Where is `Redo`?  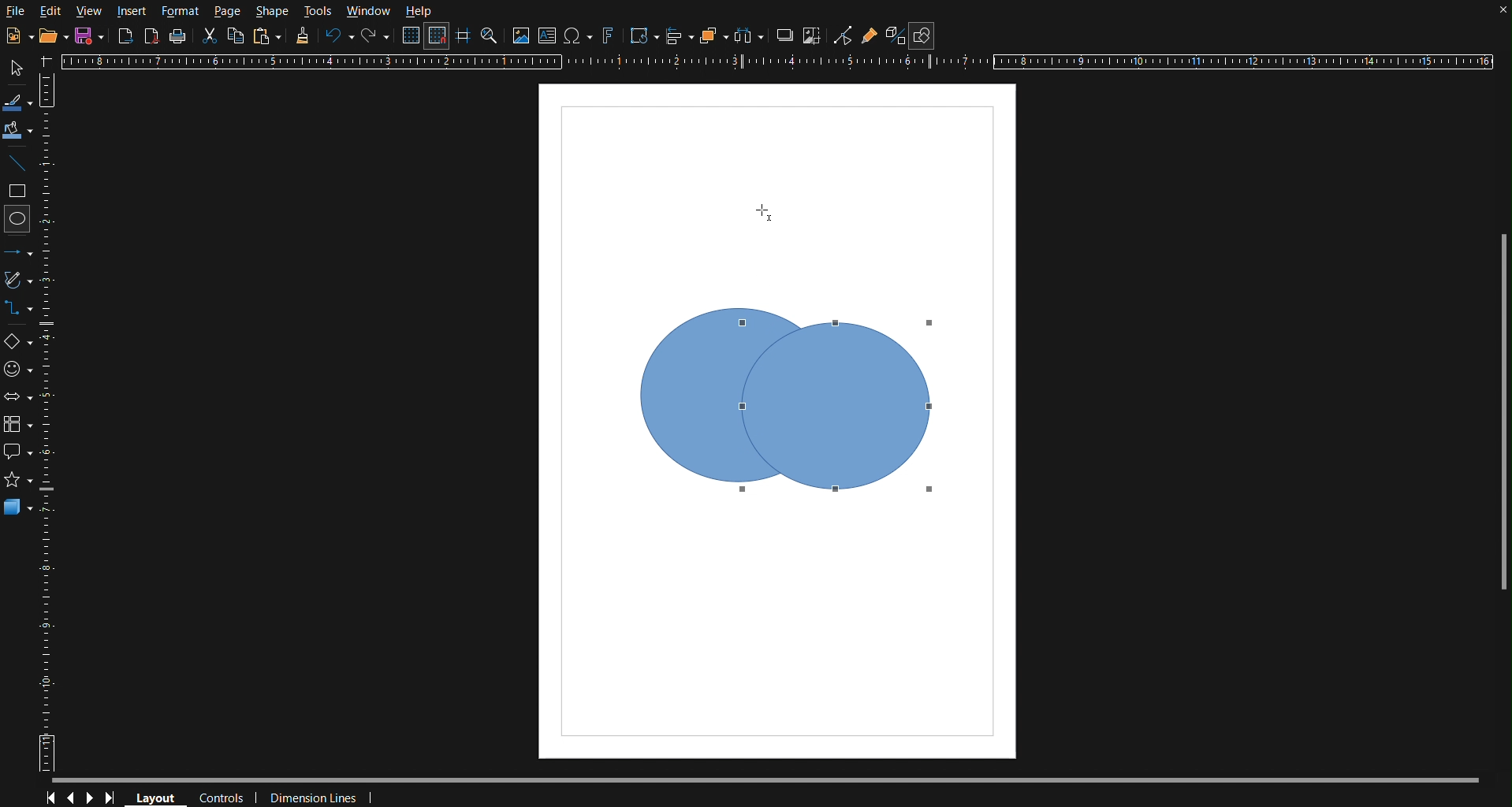 Redo is located at coordinates (372, 36).